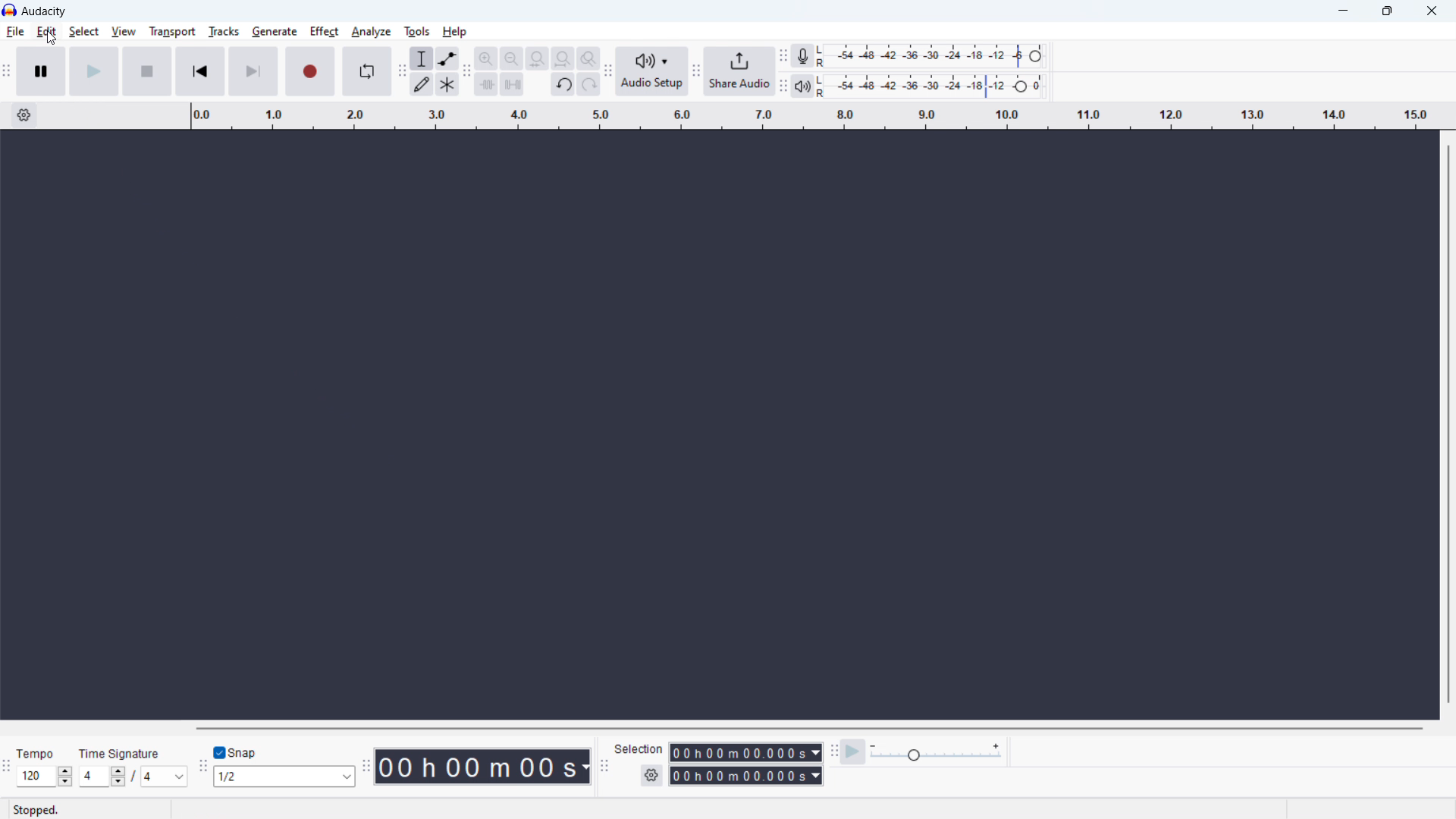 This screenshot has height=819, width=1456. I want to click on skip to end, so click(253, 71).